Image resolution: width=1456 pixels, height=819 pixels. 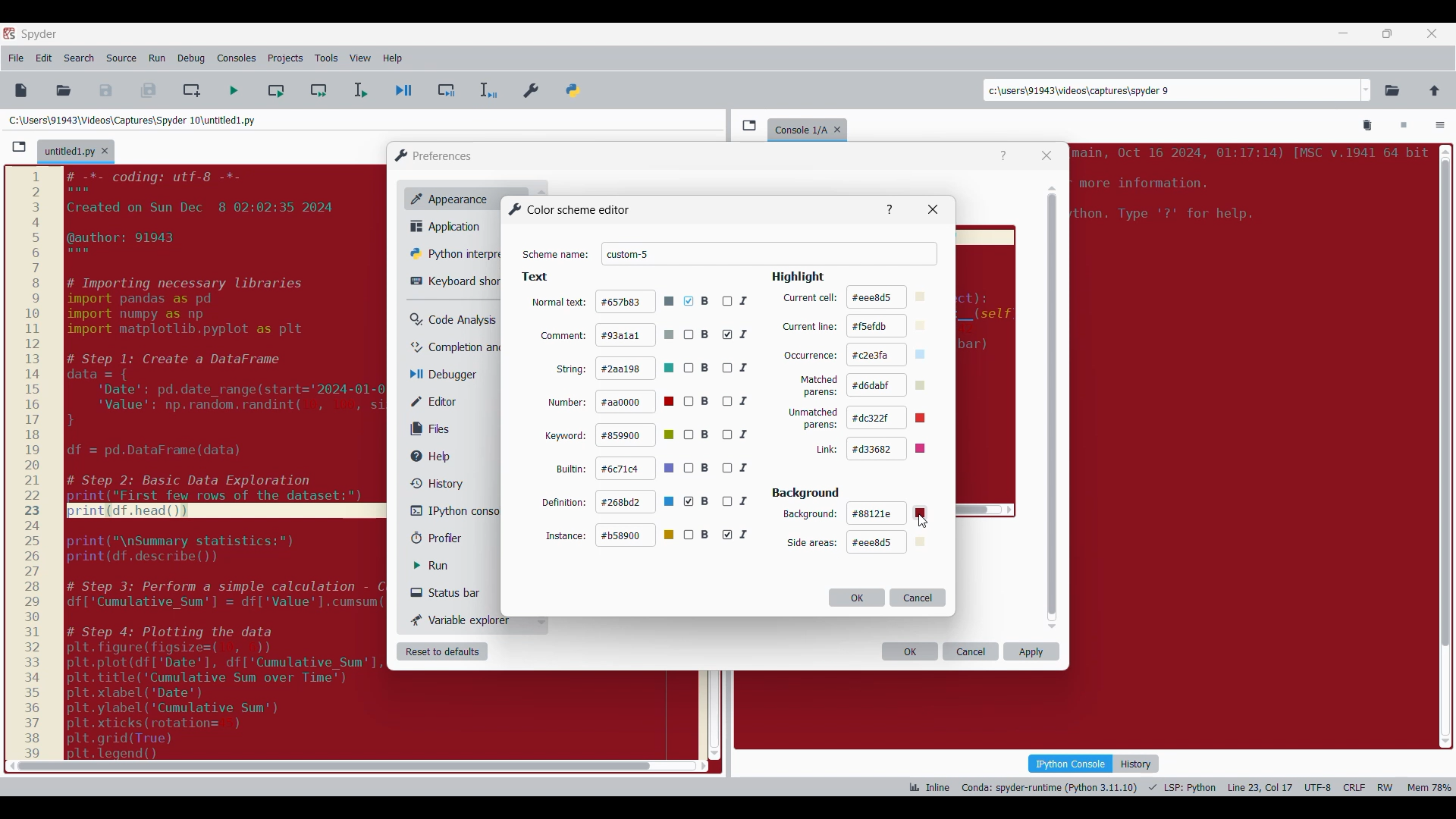 I want to click on code, so click(x=1247, y=190).